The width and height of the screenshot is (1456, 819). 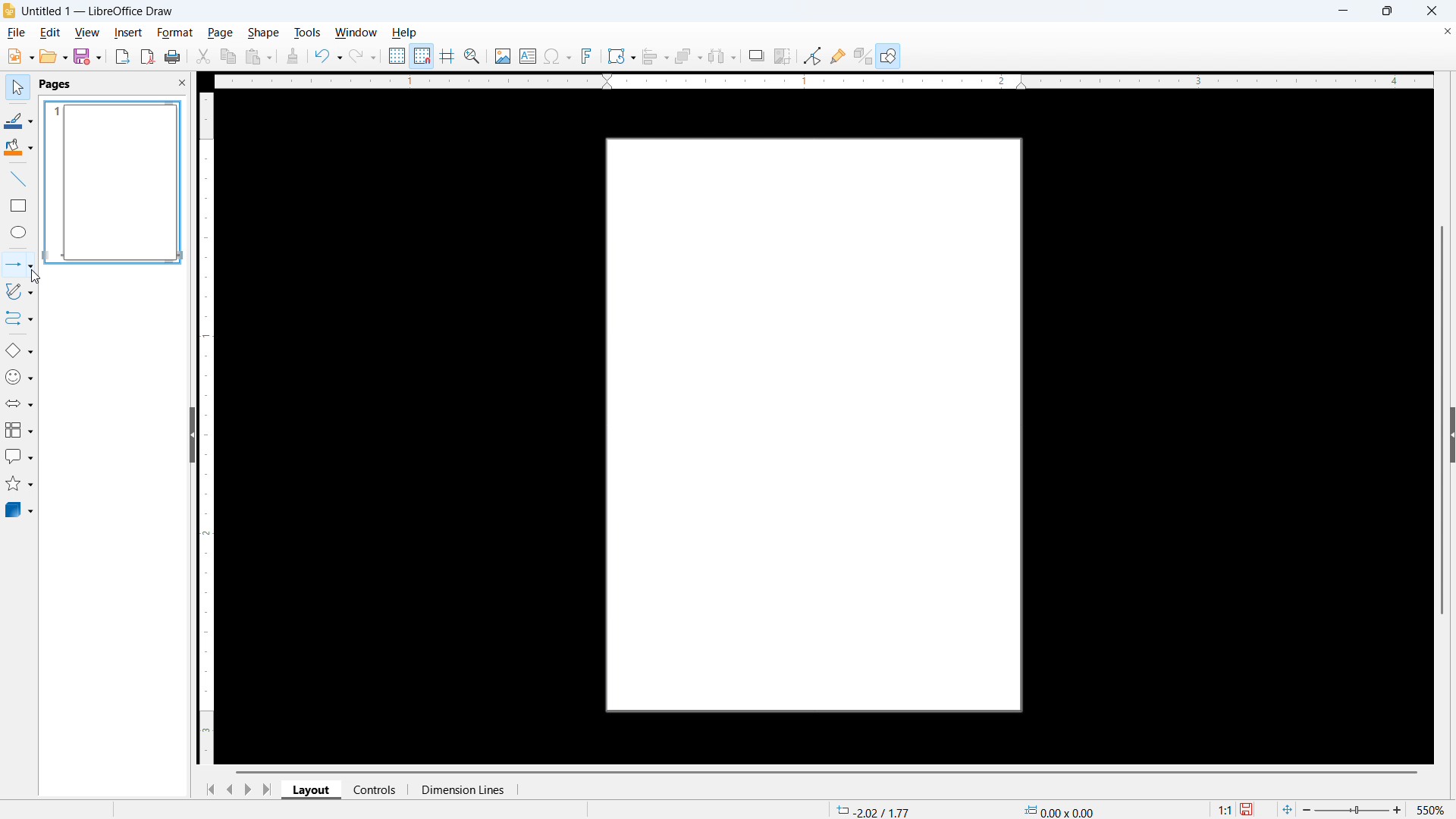 What do you see at coordinates (57, 84) in the screenshot?
I see `pages ` at bounding box center [57, 84].